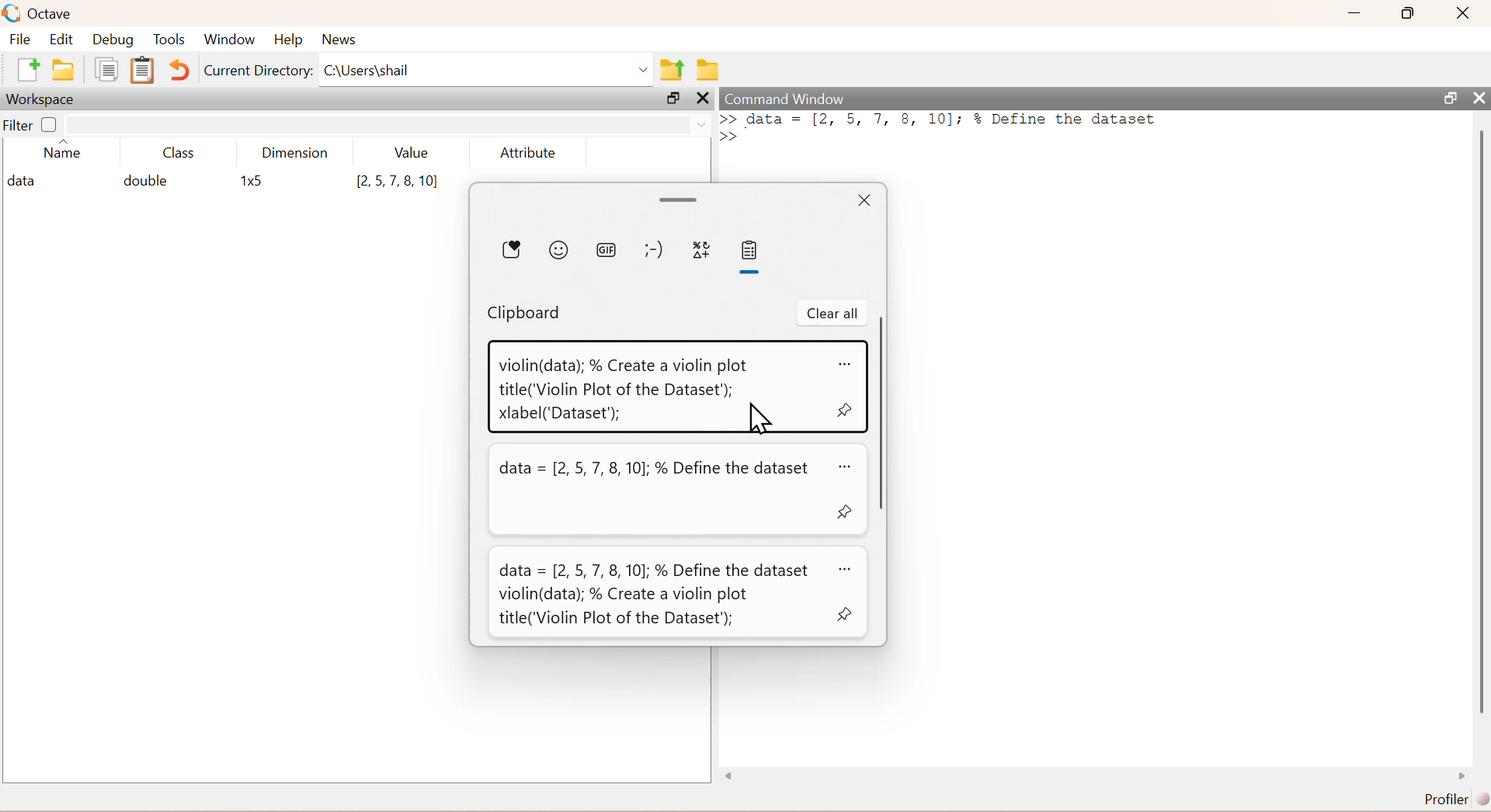 The width and height of the screenshot is (1491, 812). Describe the element at coordinates (940, 127) in the screenshot. I see `>>data = [2, 5, 7, 8, 10]; % Define the dataset>>` at that location.